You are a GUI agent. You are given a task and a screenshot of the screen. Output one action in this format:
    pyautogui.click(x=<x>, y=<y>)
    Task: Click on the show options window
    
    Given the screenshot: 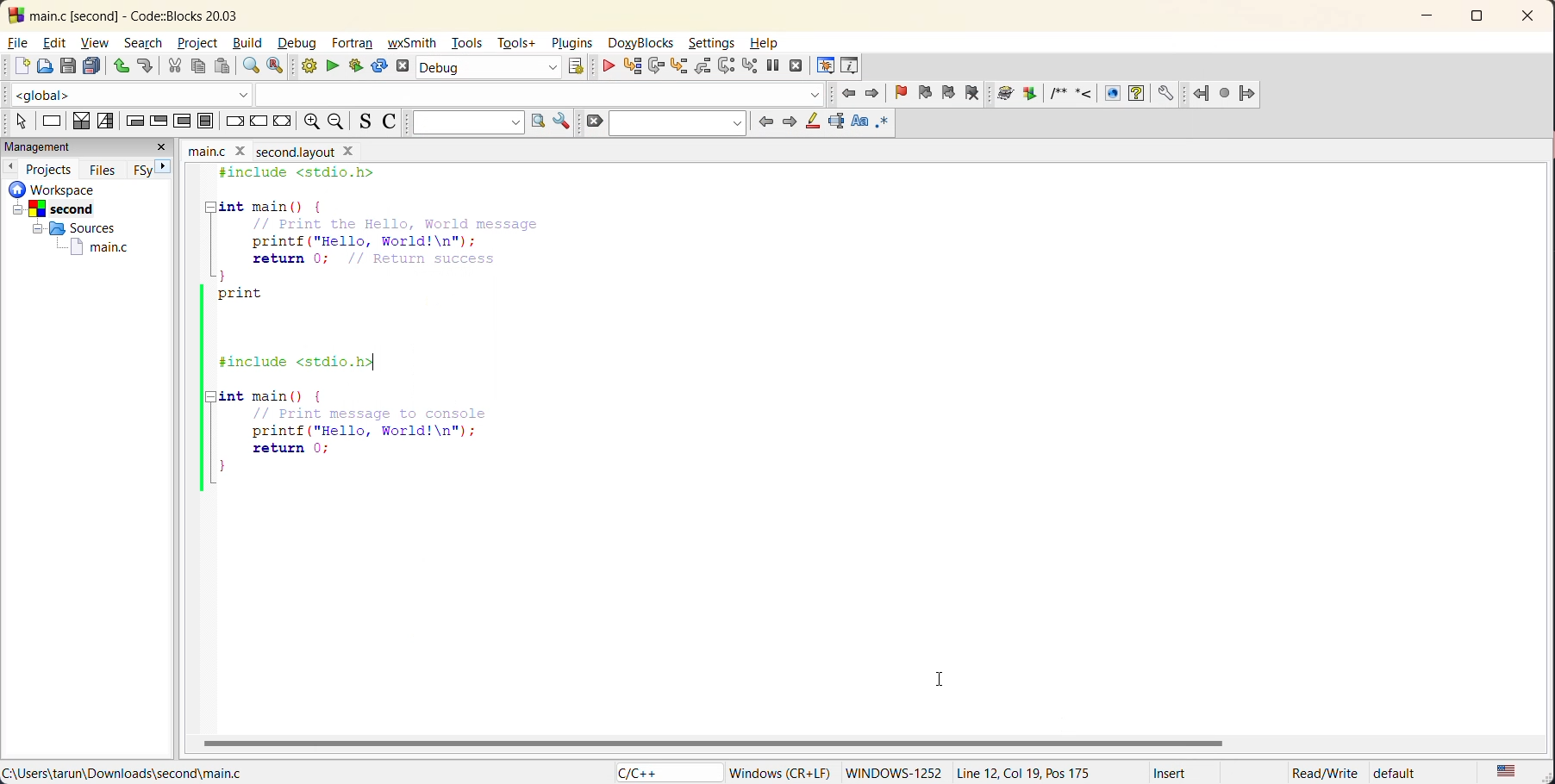 What is the action you would take?
    pyautogui.click(x=563, y=122)
    